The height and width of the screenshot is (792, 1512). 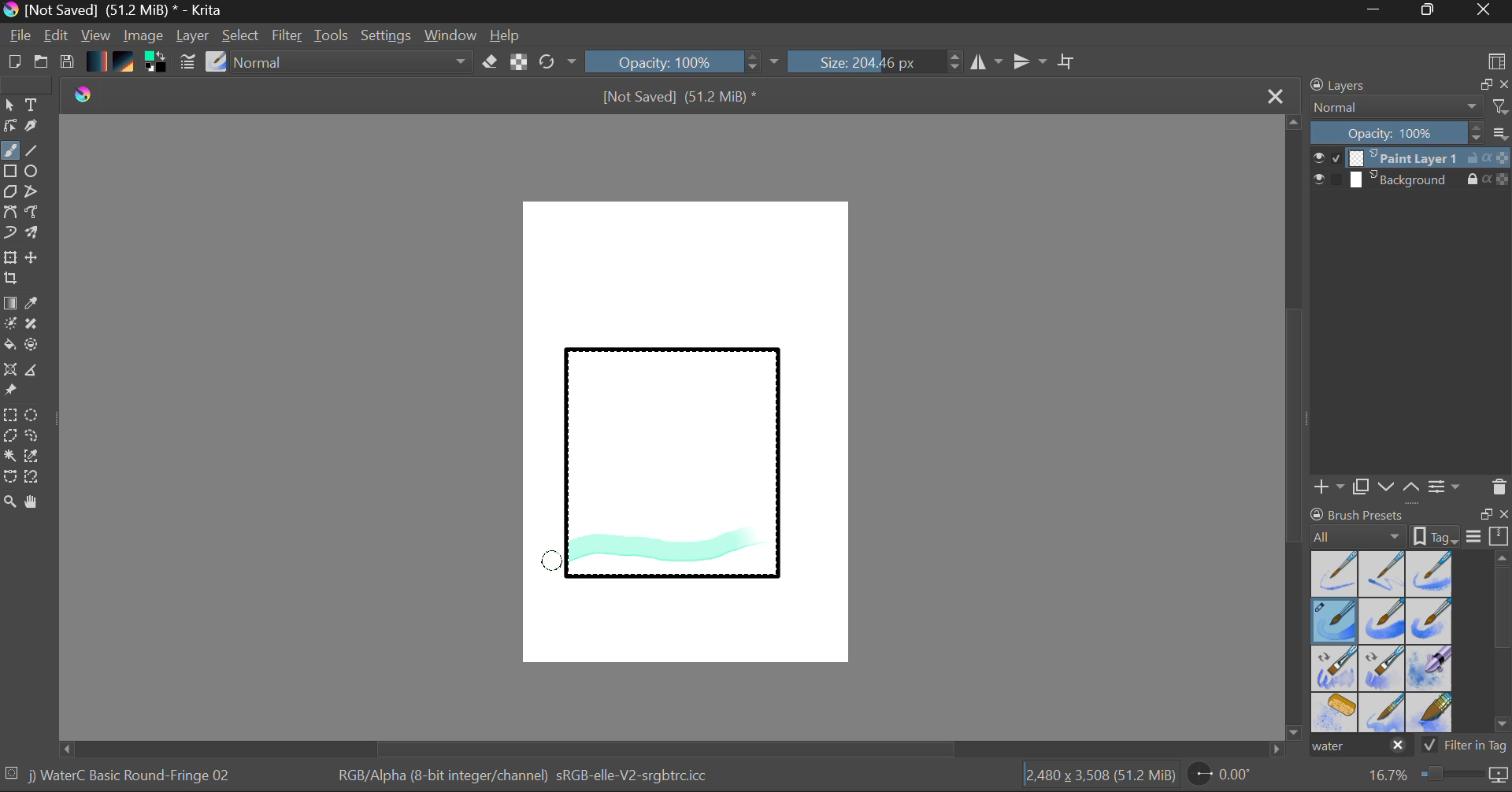 What do you see at coordinates (332, 36) in the screenshot?
I see `Tools` at bounding box center [332, 36].